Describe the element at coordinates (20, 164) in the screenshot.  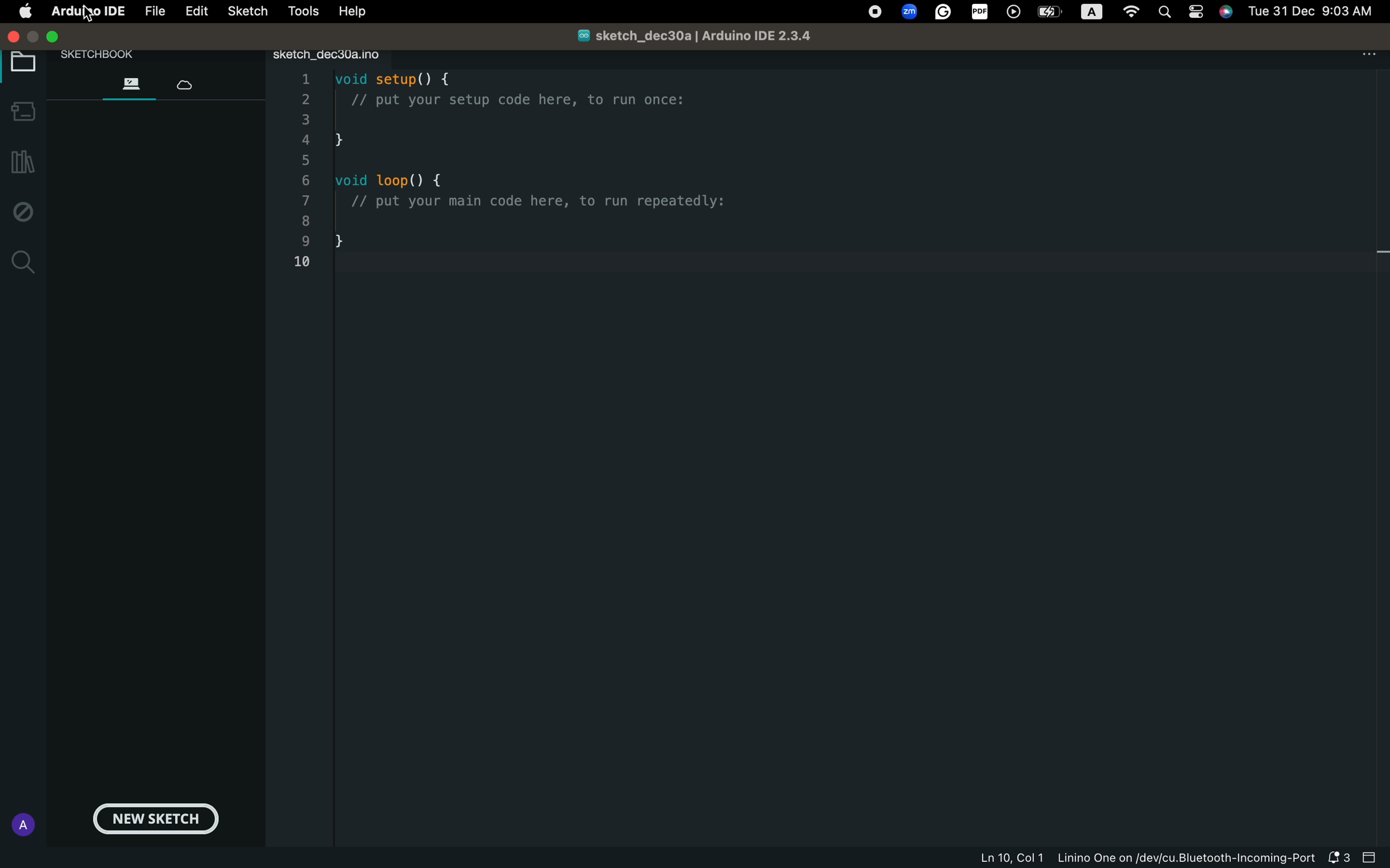
I see `library manager` at that location.